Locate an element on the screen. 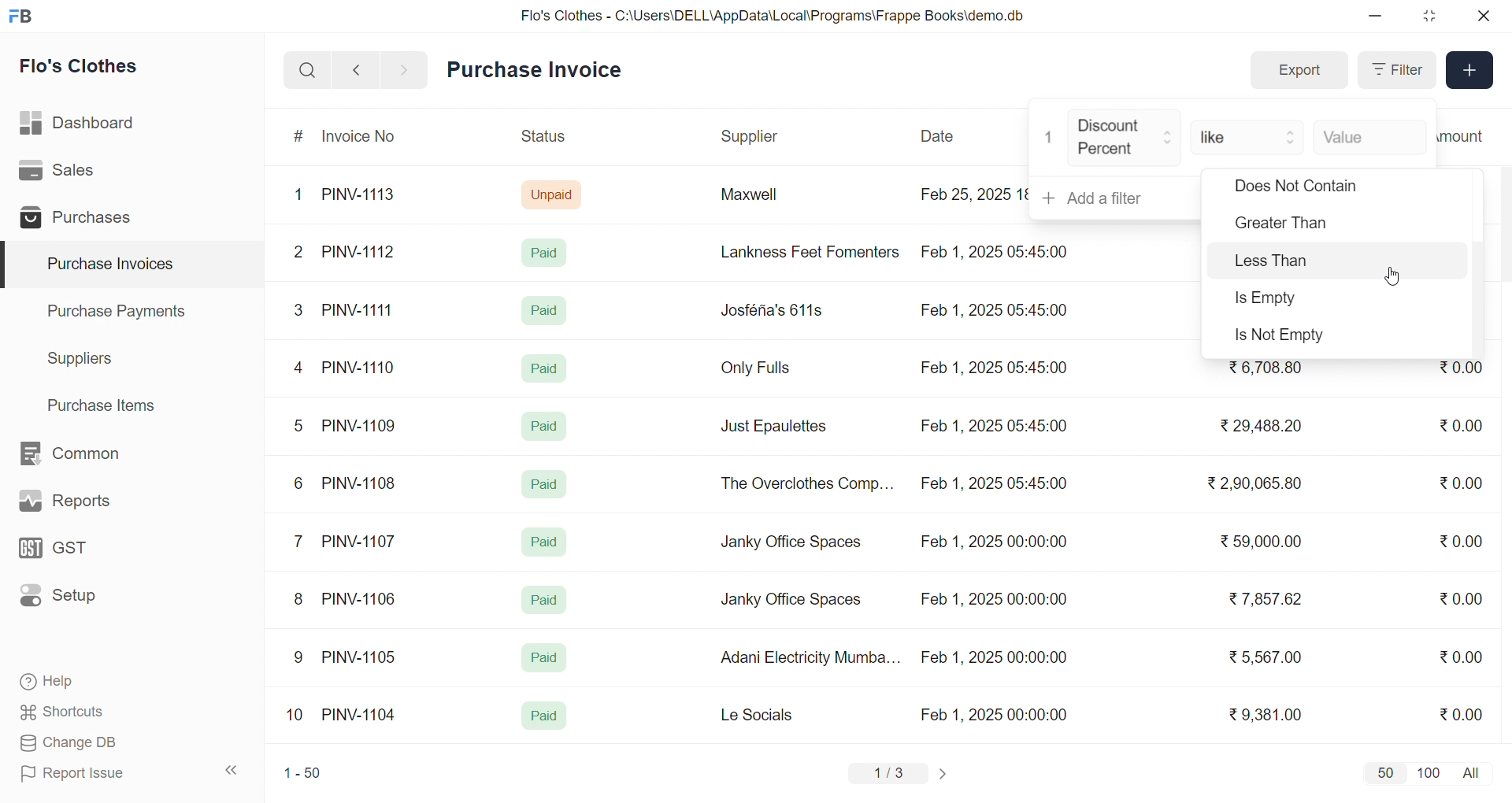 The height and width of the screenshot is (803, 1512). + Add a filter is located at coordinates (1116, 198).